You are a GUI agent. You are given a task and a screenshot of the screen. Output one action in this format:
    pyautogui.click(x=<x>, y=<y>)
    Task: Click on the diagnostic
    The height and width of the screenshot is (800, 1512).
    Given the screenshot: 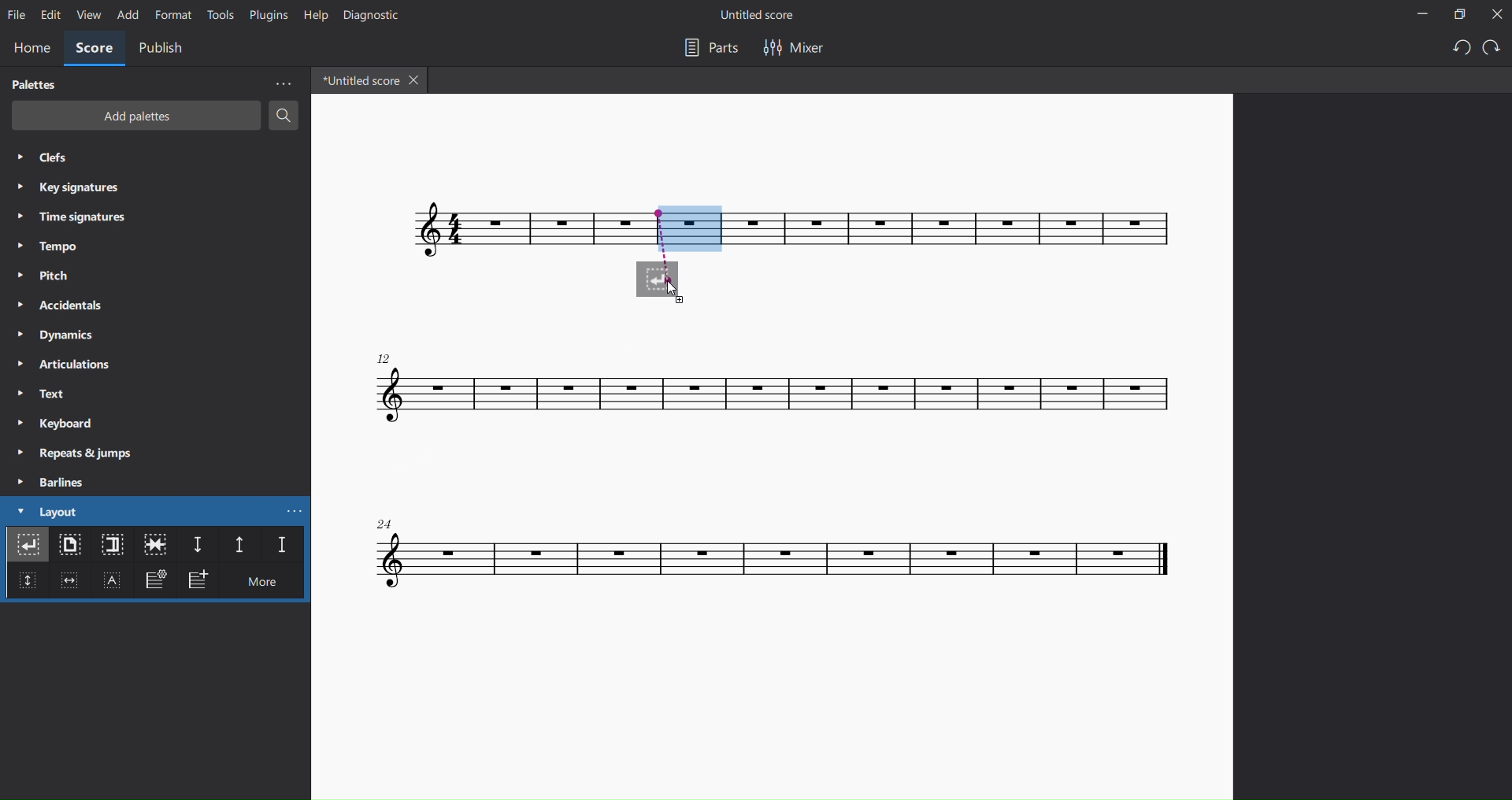 What is the action you would take?
    pyautogui.click(x=369, y=15)
    